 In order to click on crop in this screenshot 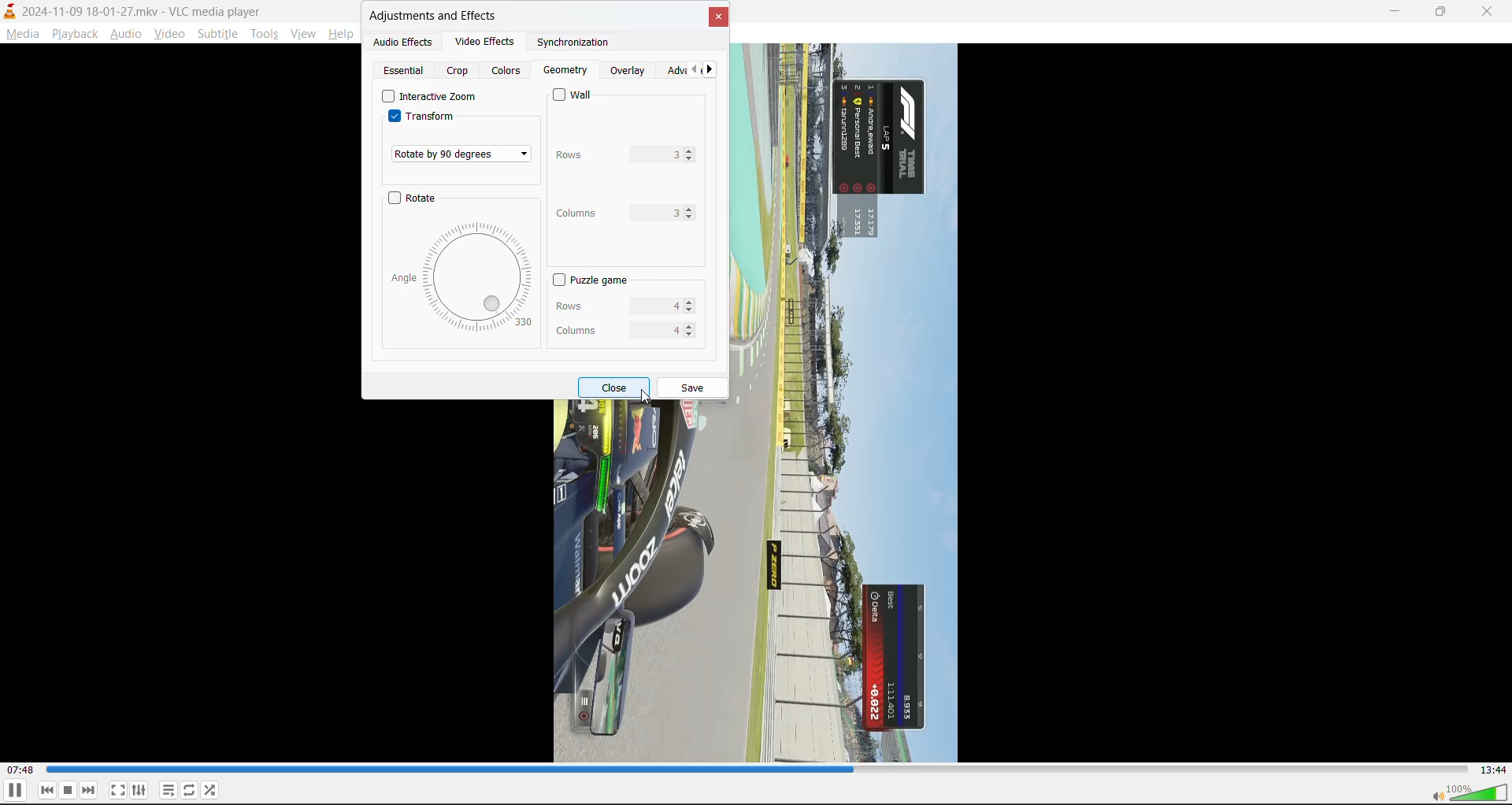, I will do `click(460, 71)`.